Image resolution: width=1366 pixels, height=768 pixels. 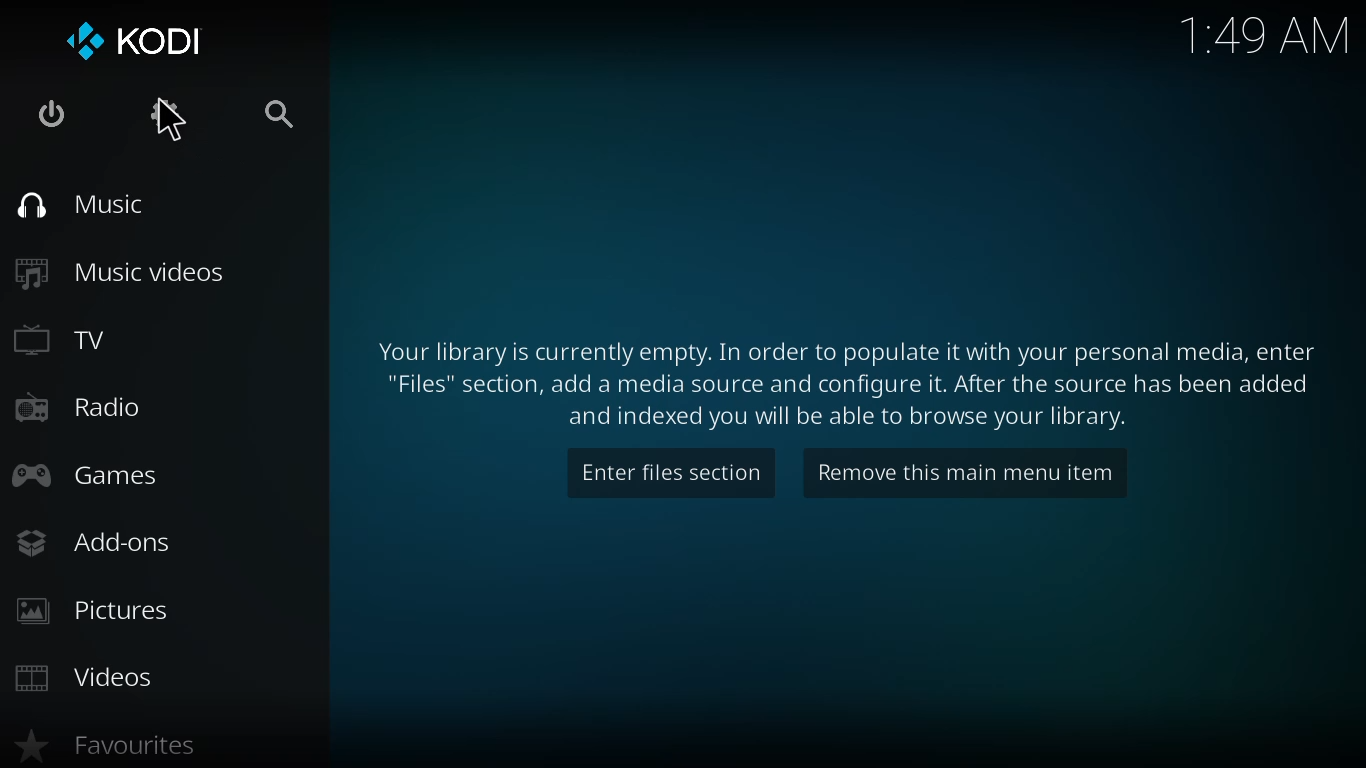 What do you see at coordinates (65, 341) in the screenshot?
I see `tv` at bounding box center [65, 341].